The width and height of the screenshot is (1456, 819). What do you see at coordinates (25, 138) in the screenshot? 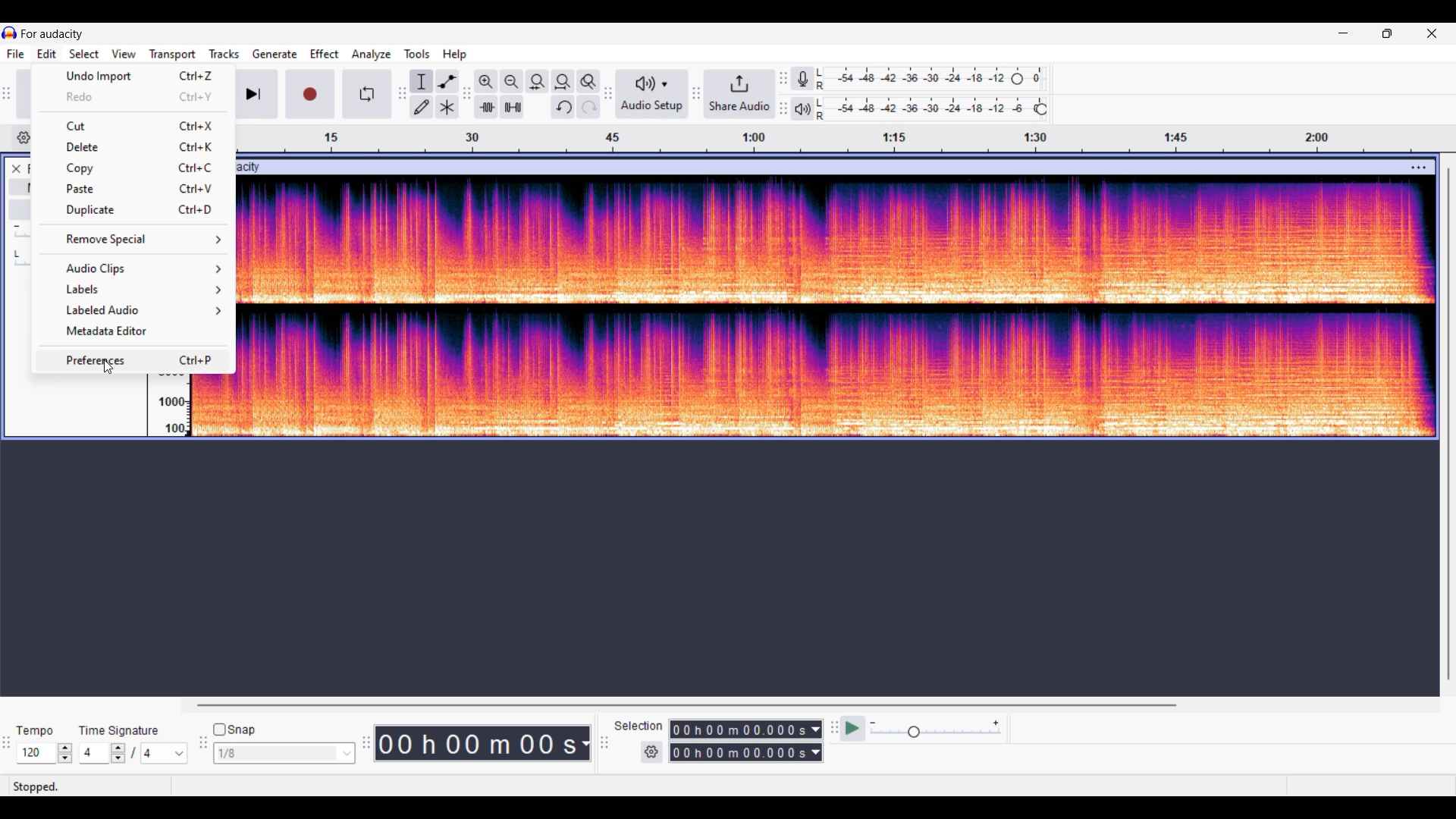
I see `Timeline options` at bounding box center [25, 138].